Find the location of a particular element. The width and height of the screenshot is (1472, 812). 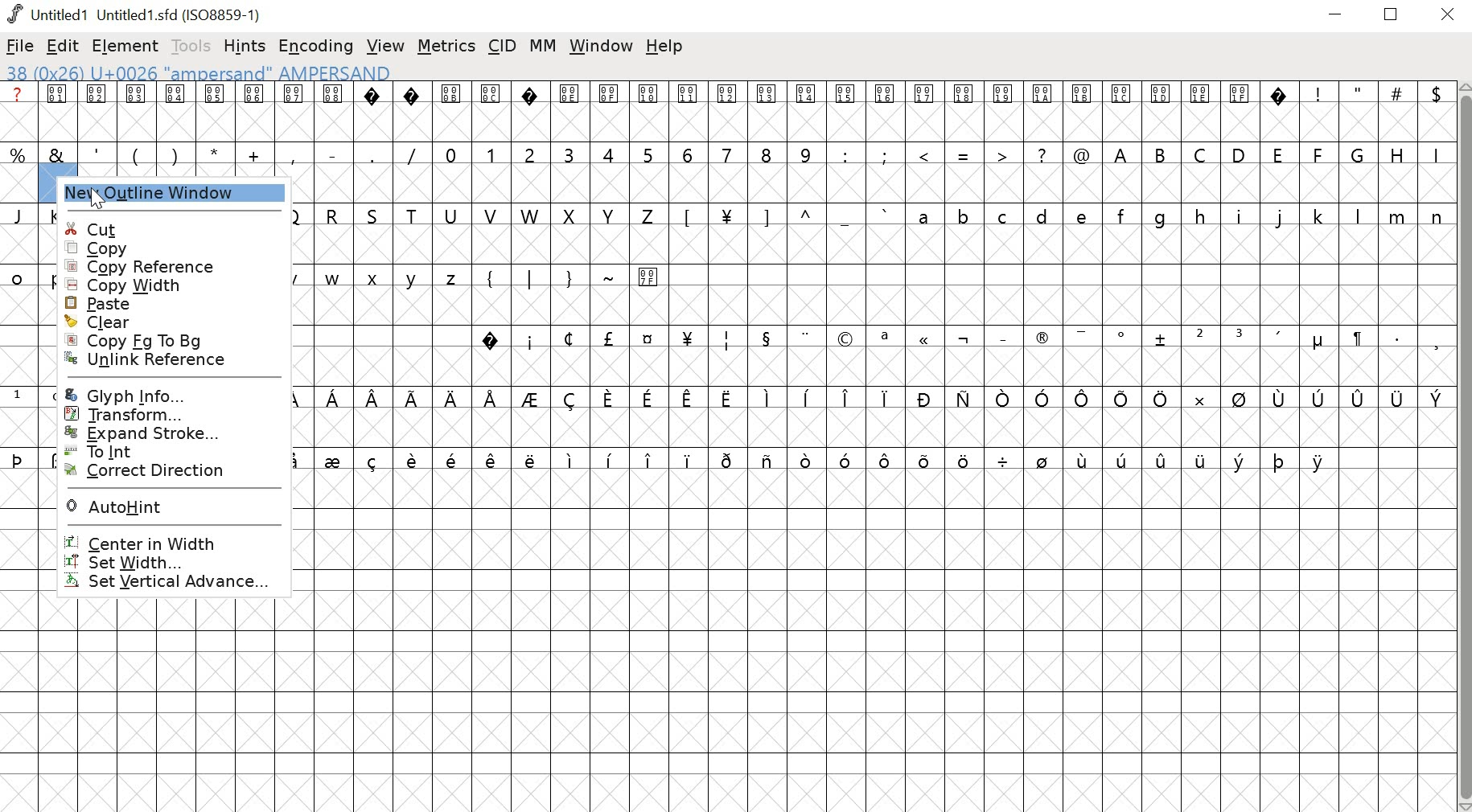

0005 is located at coordinates (214, 112).